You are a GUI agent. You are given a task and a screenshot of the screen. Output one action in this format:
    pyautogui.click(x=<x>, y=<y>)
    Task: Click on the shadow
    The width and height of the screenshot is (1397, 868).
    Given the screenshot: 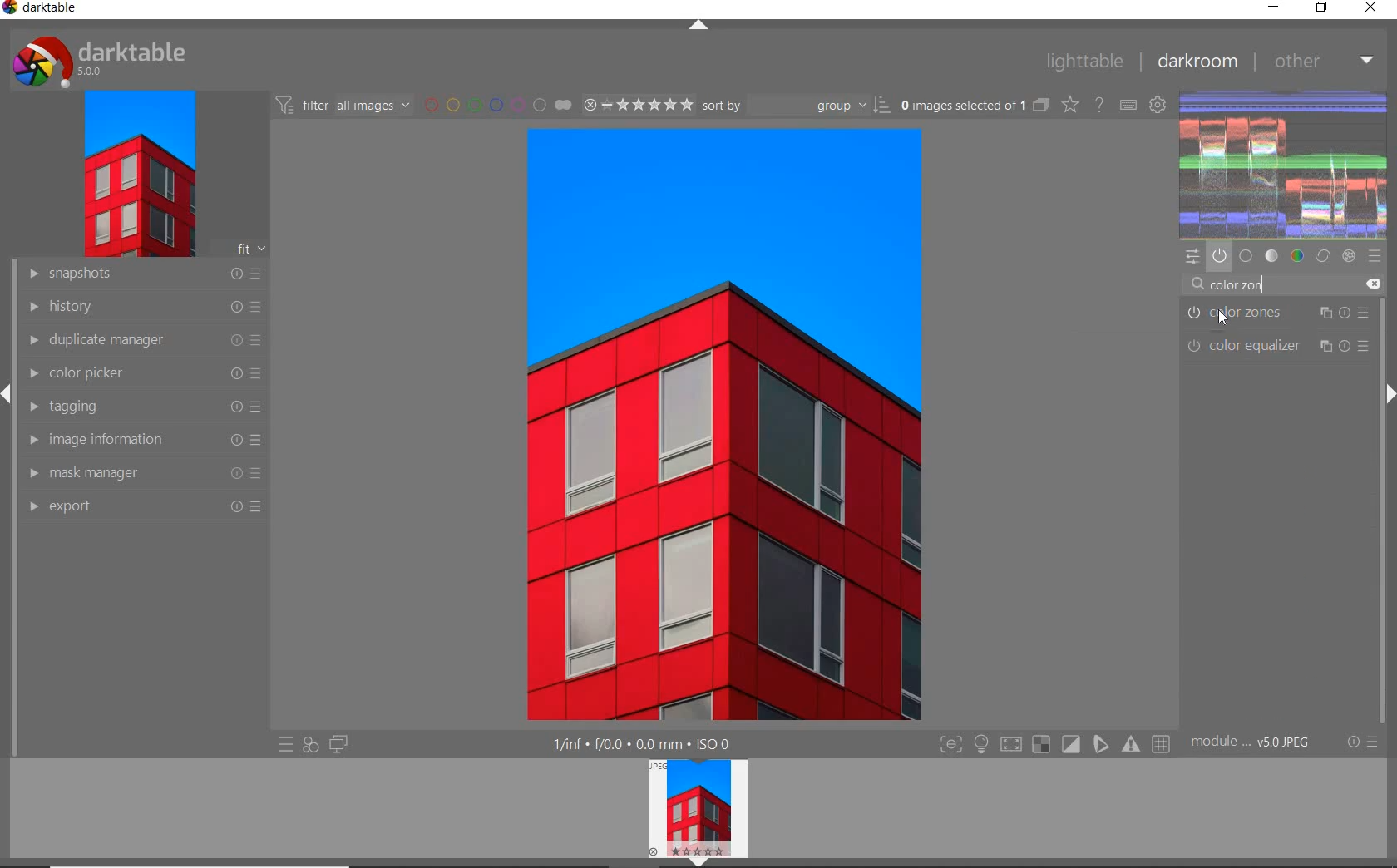 What is the action you would take?
    pyautogui.click(x=1009, y=745)
    